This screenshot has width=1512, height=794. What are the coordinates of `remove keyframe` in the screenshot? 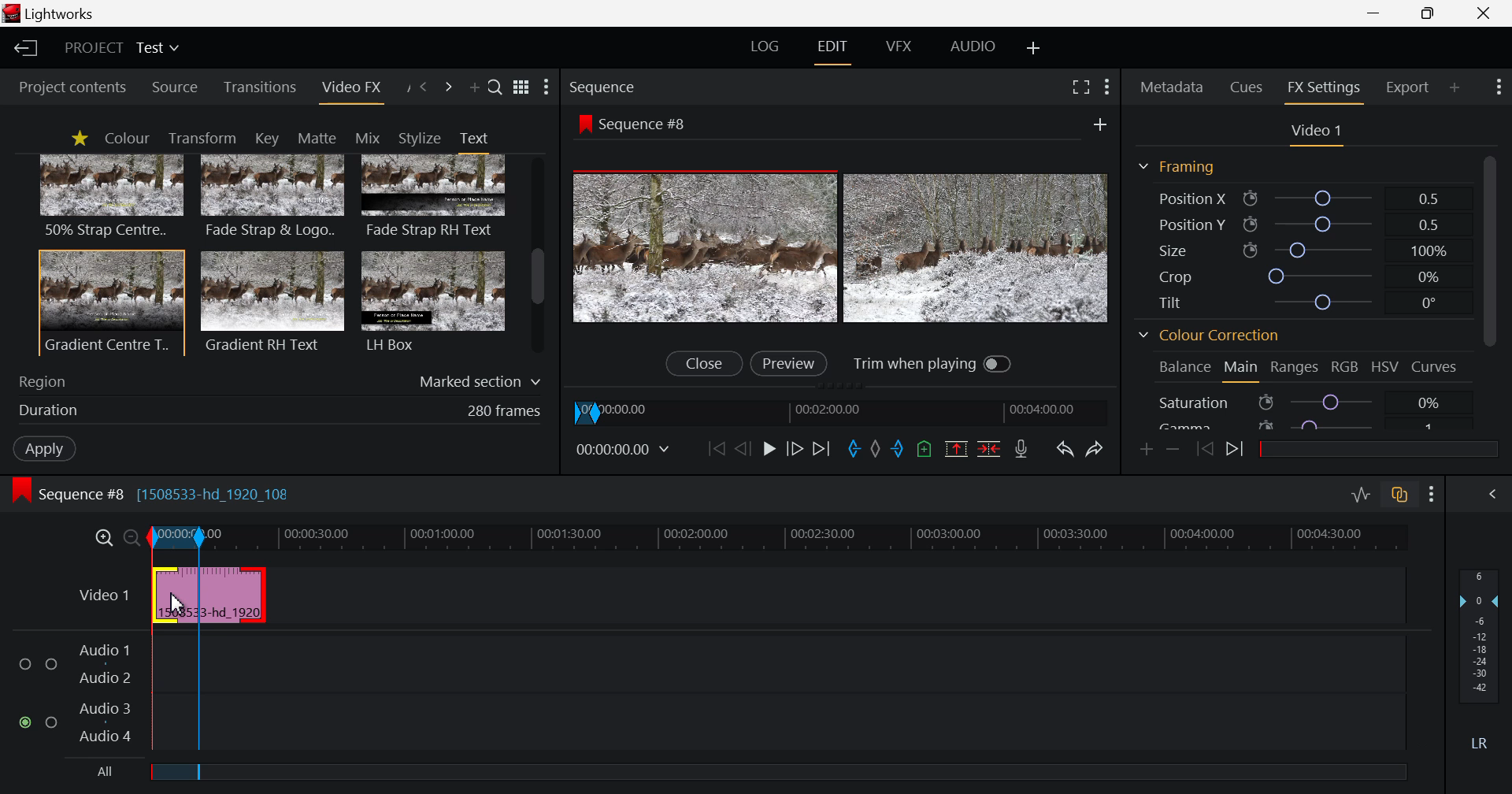 It's located at (1173, 449).